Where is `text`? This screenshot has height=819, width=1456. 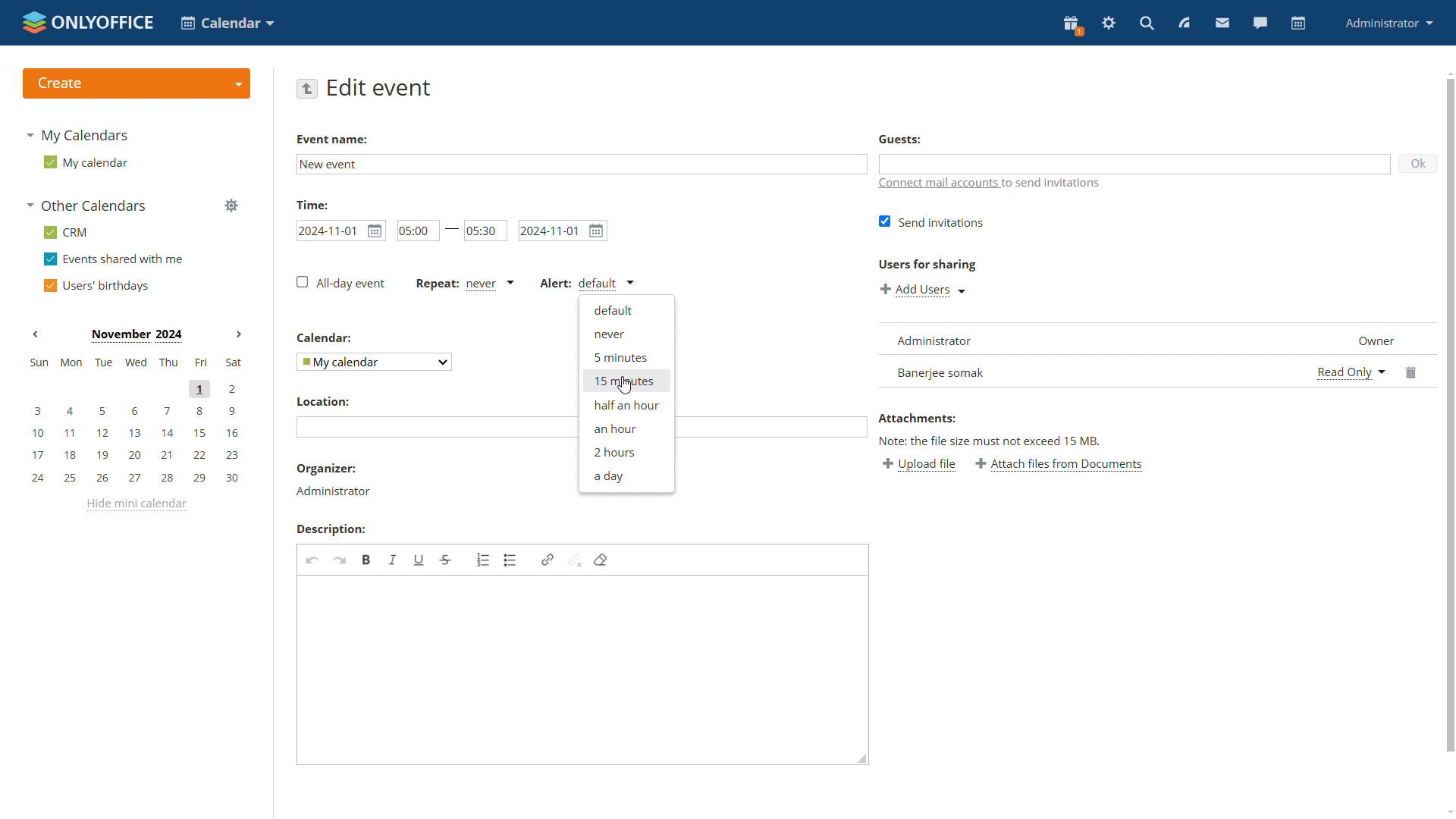 text is located at coordinates (1057, 187).